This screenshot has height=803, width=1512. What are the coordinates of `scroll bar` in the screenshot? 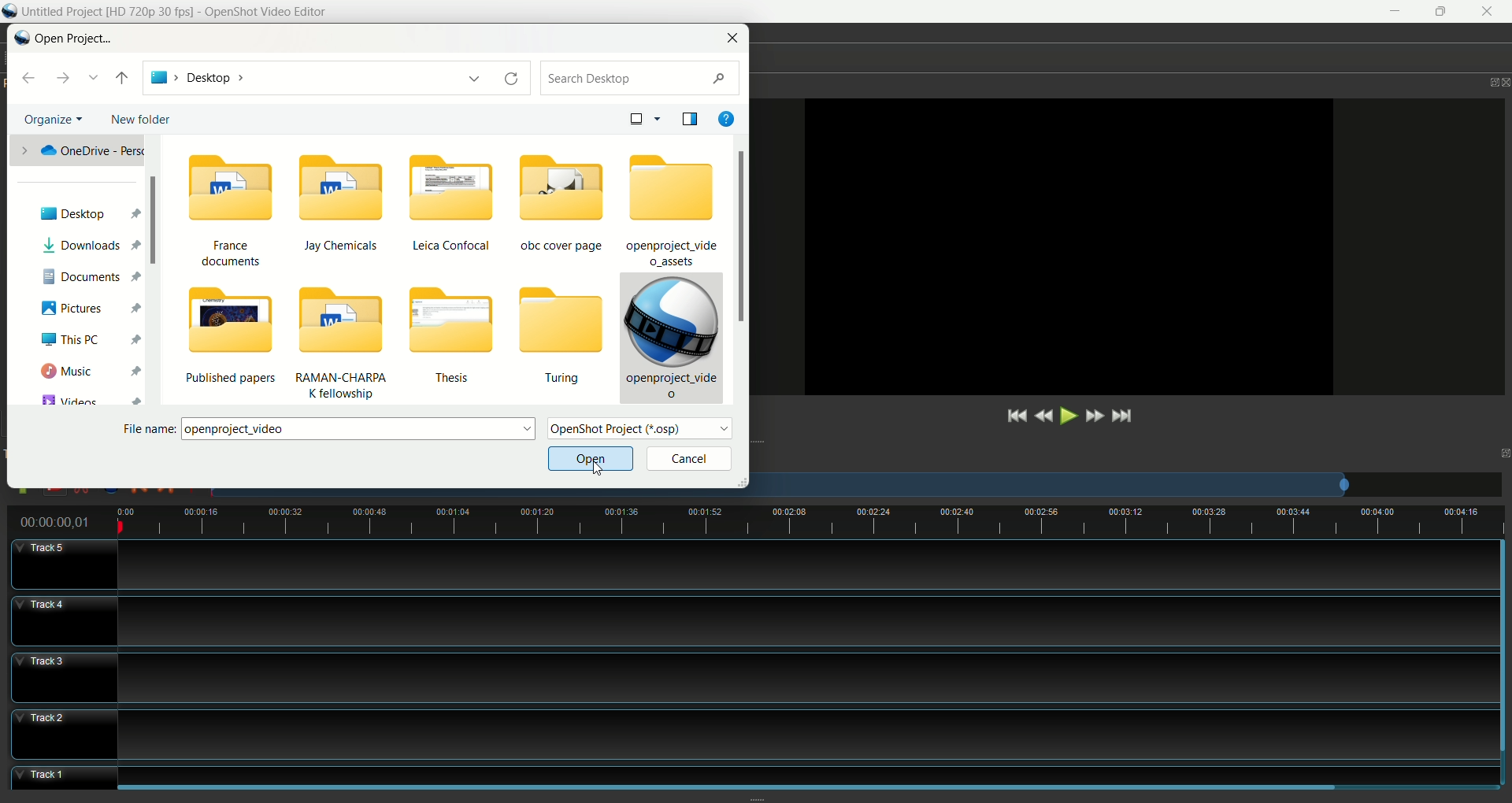 It's located at (743, 269).